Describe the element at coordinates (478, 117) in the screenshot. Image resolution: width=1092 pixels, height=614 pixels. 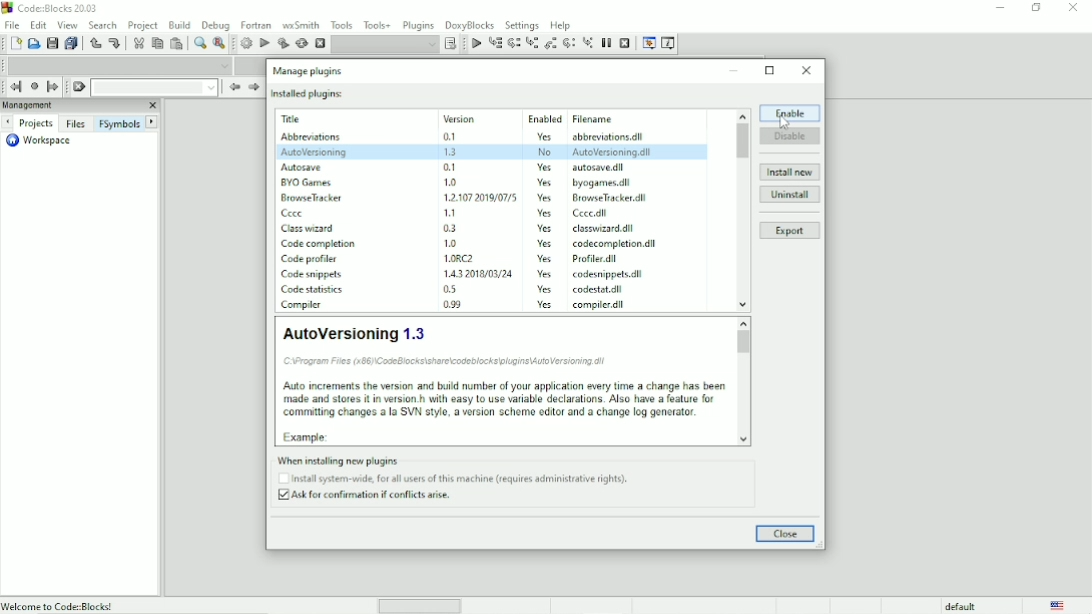
I see `Version` at that location.